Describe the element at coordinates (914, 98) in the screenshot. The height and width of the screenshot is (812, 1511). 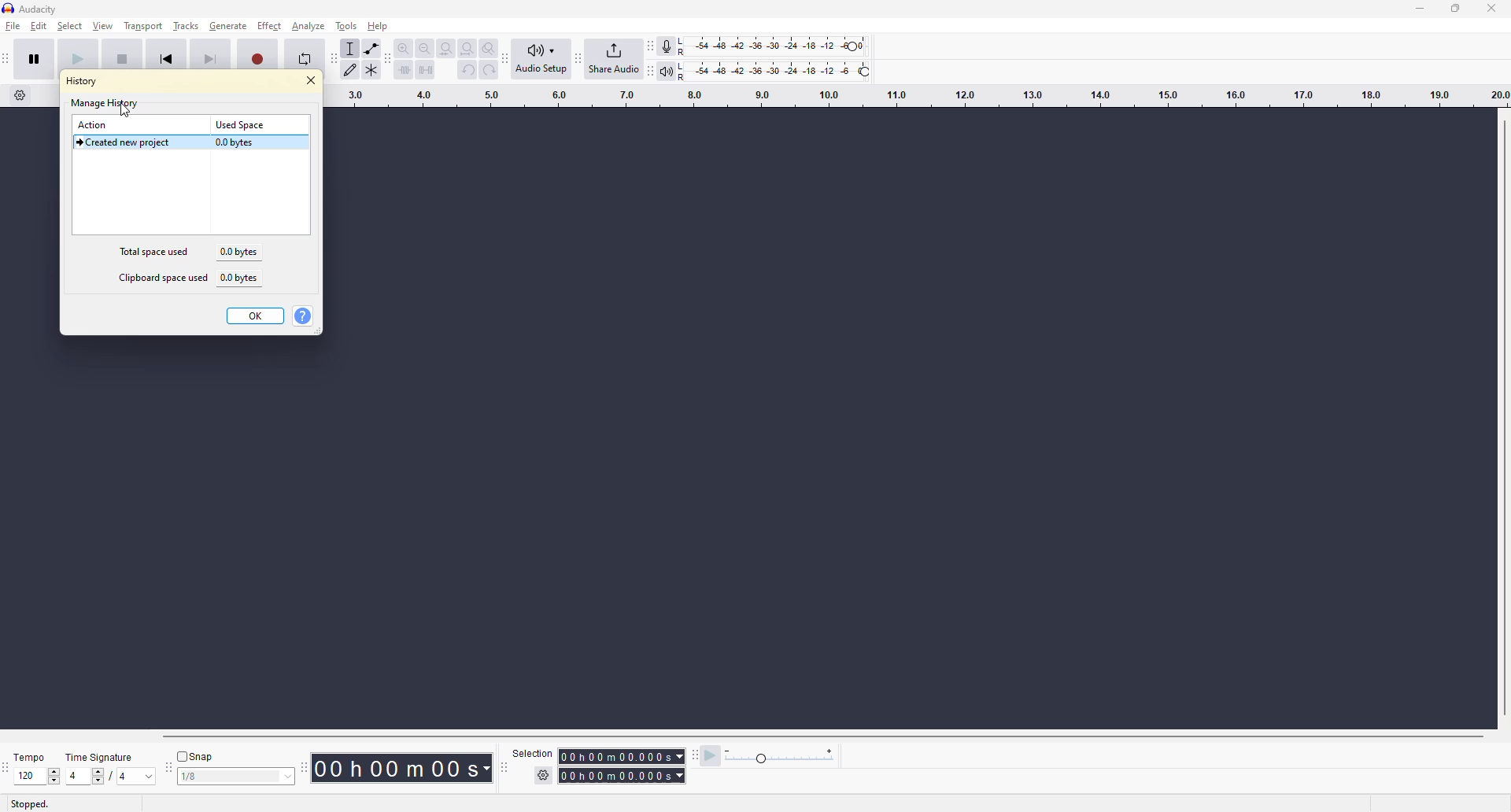
I see `click and drag to define a looping region` at that location.